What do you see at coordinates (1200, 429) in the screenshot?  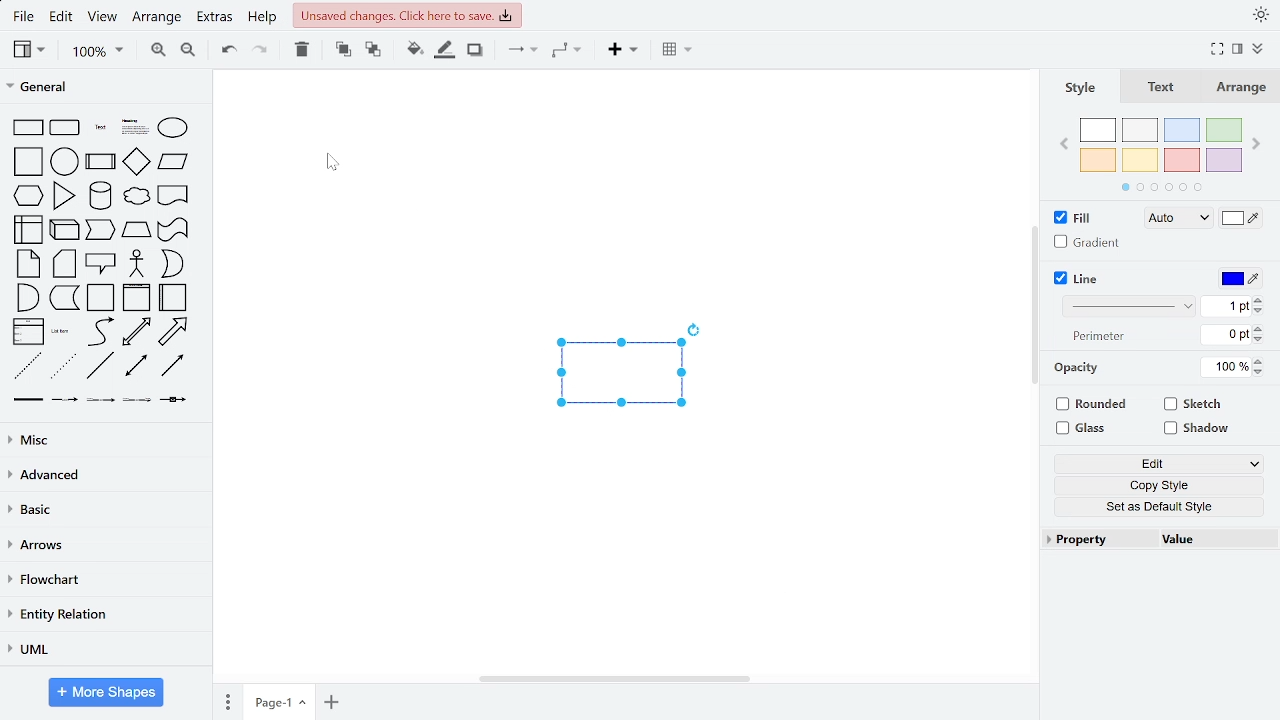 I see `shadow` at bounding box center [1200, 429].